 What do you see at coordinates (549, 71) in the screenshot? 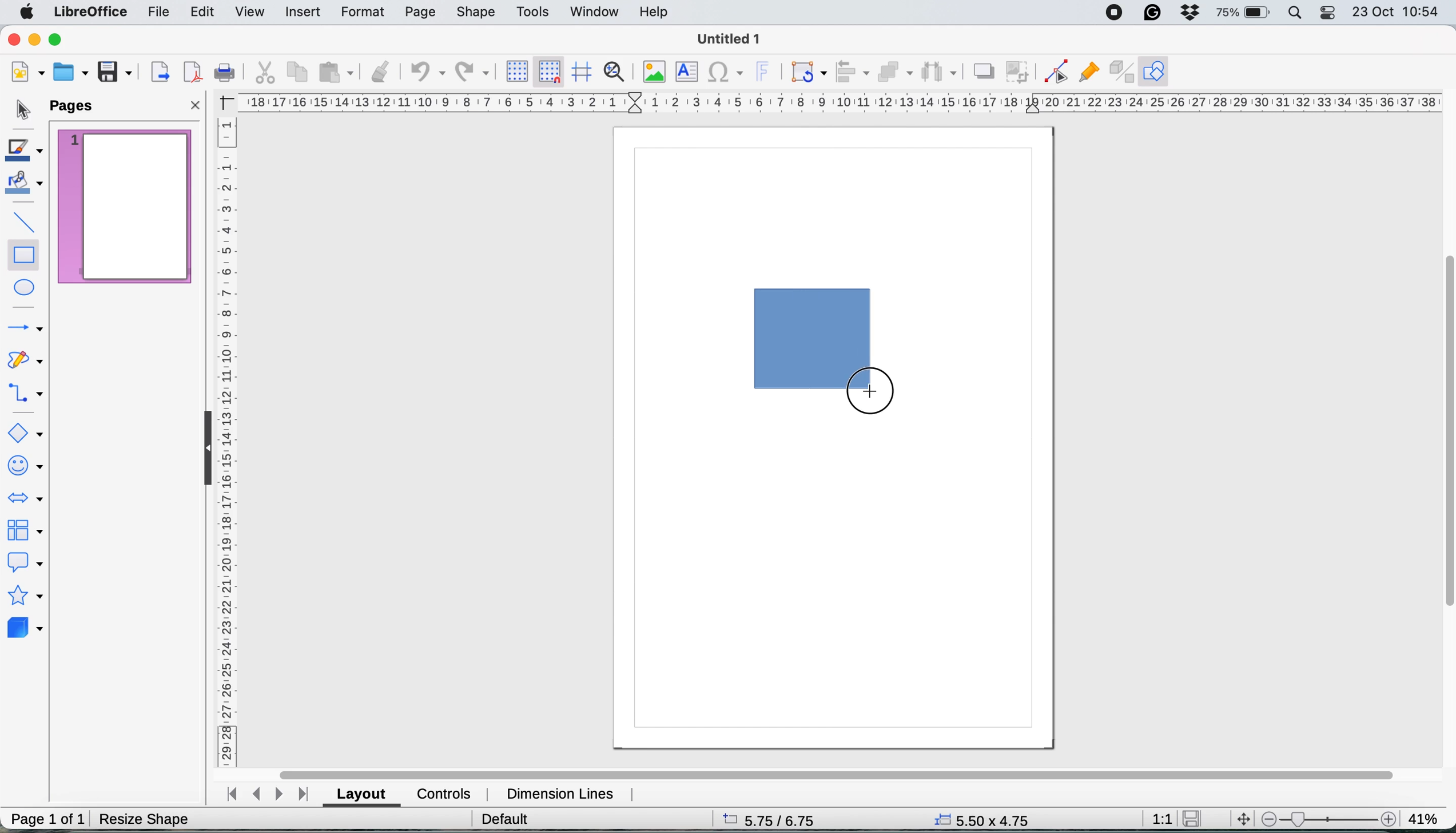
I see `snap to grid` at bounding box center [549, 71].